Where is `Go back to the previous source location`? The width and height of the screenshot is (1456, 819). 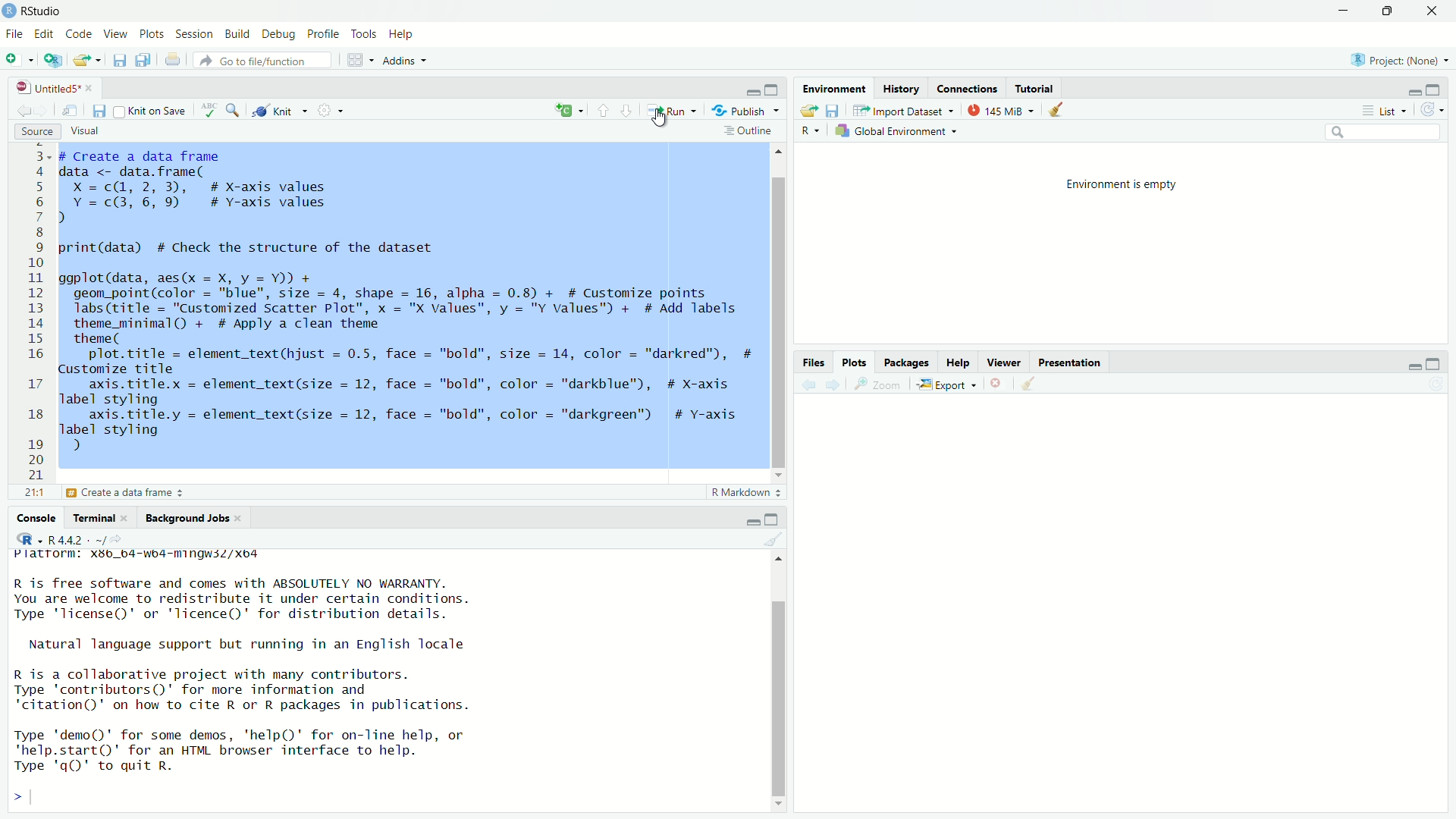 Go back to the previous source location is located at coordinates (24, 114).